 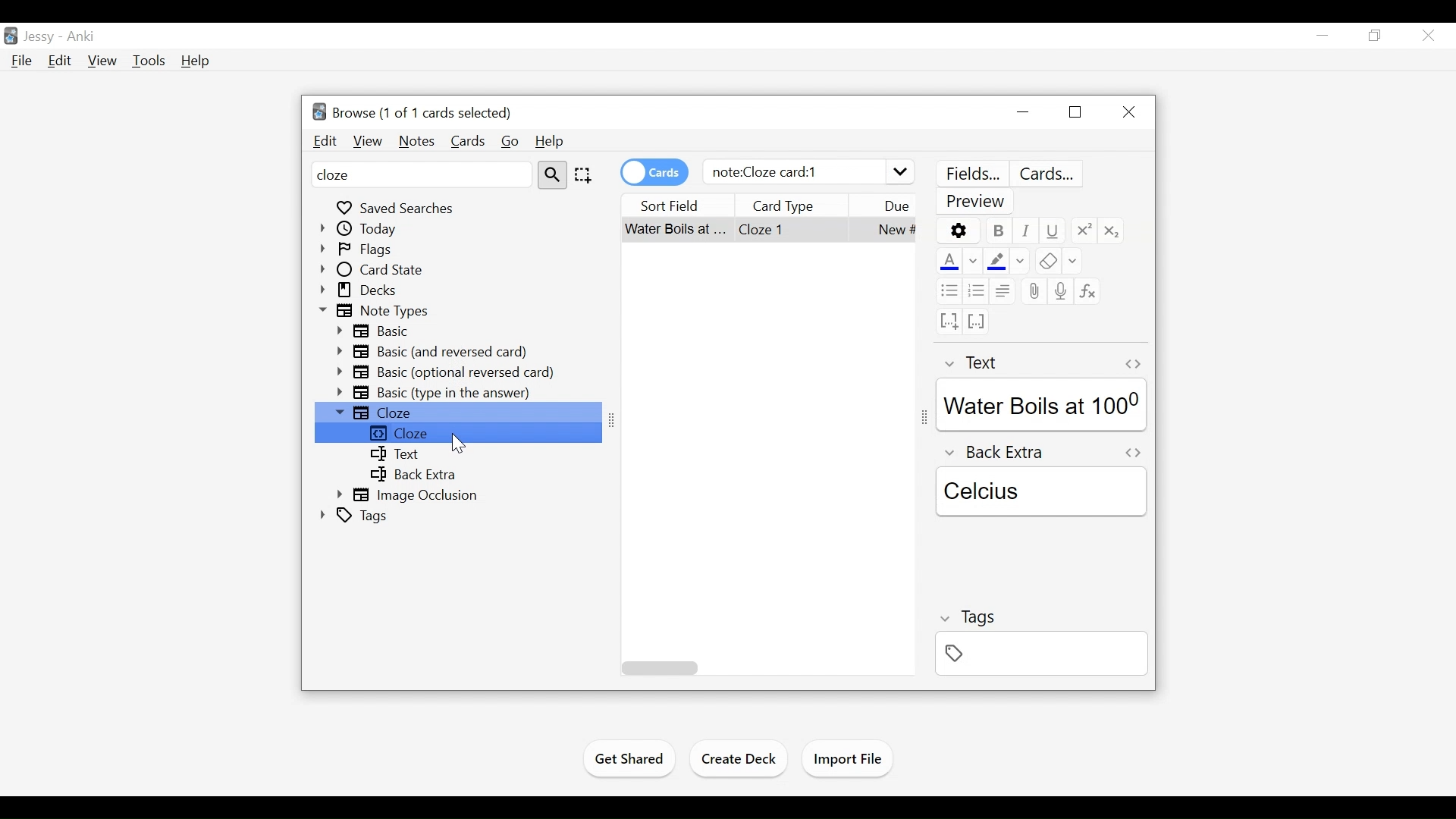 What do you see at coordinates (458, 412) in the screenshot?
I see `Cloze` at bounding box center [458, 412].